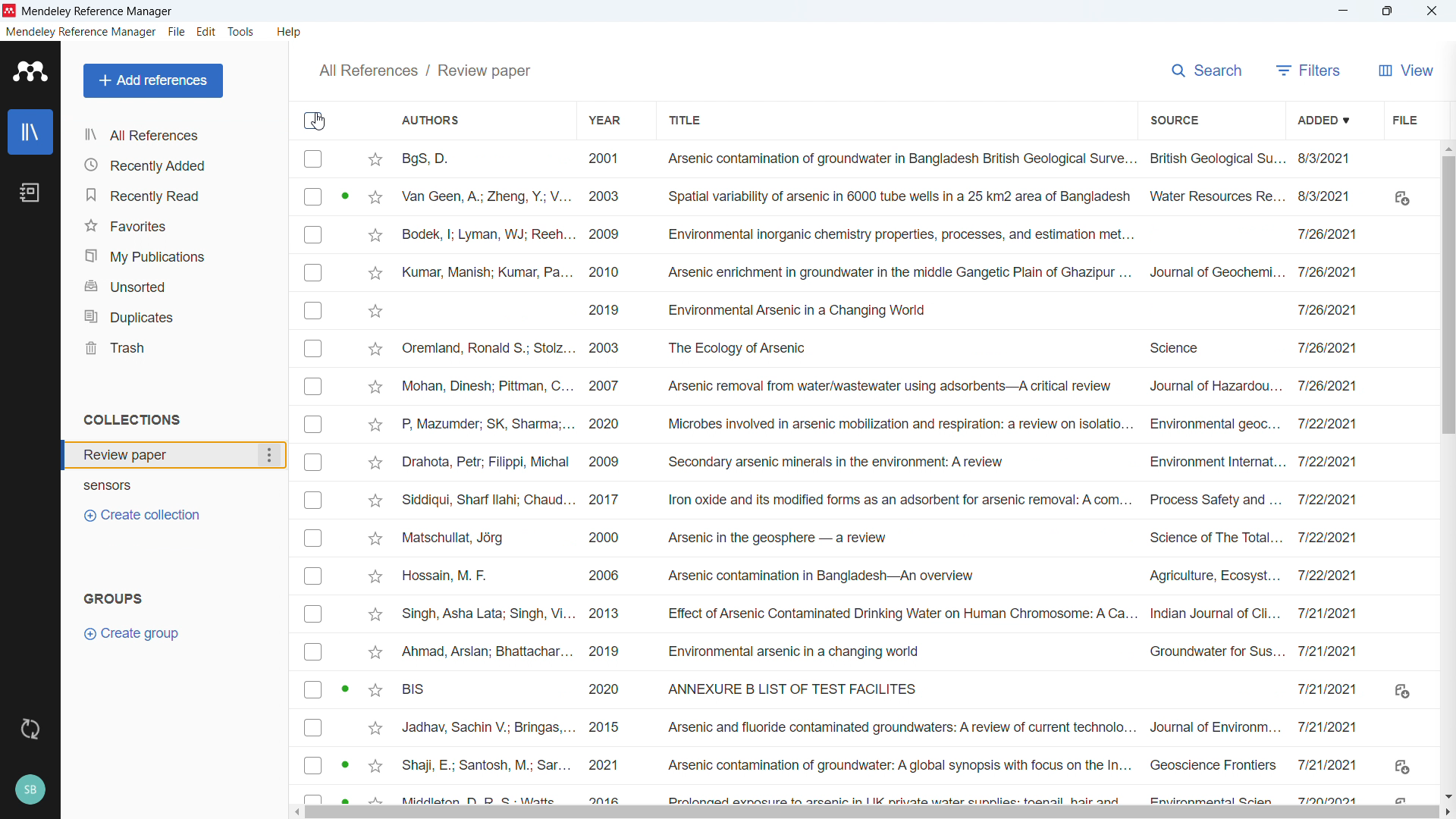 Image resolution: width=1456 pixels, height=819 pixels. Describe the element at coordinates (173, 315) in the screenshot. I see `Duplicates ` at that location.